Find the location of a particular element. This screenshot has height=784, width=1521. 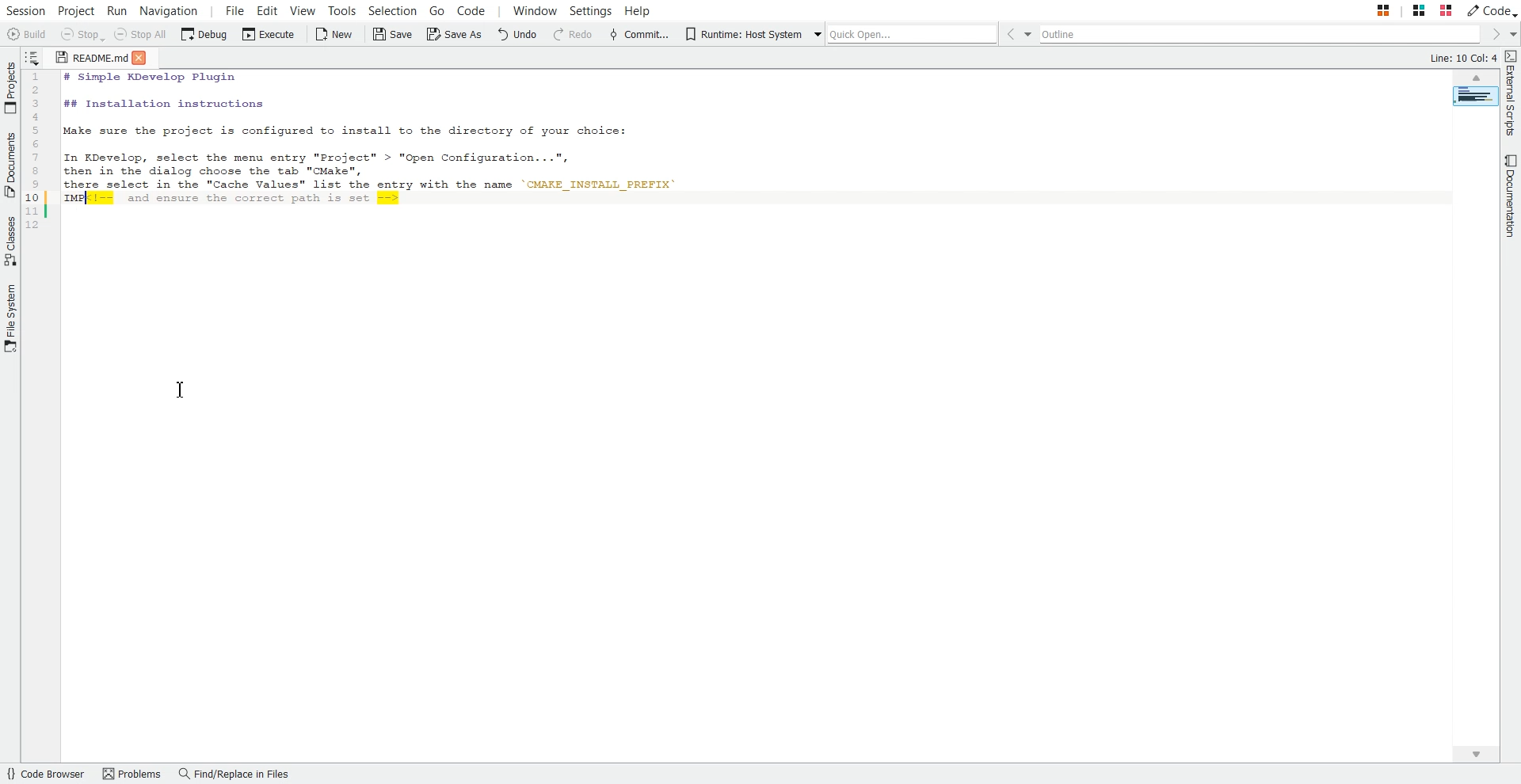

Problems is located at coordinates (132, 774).